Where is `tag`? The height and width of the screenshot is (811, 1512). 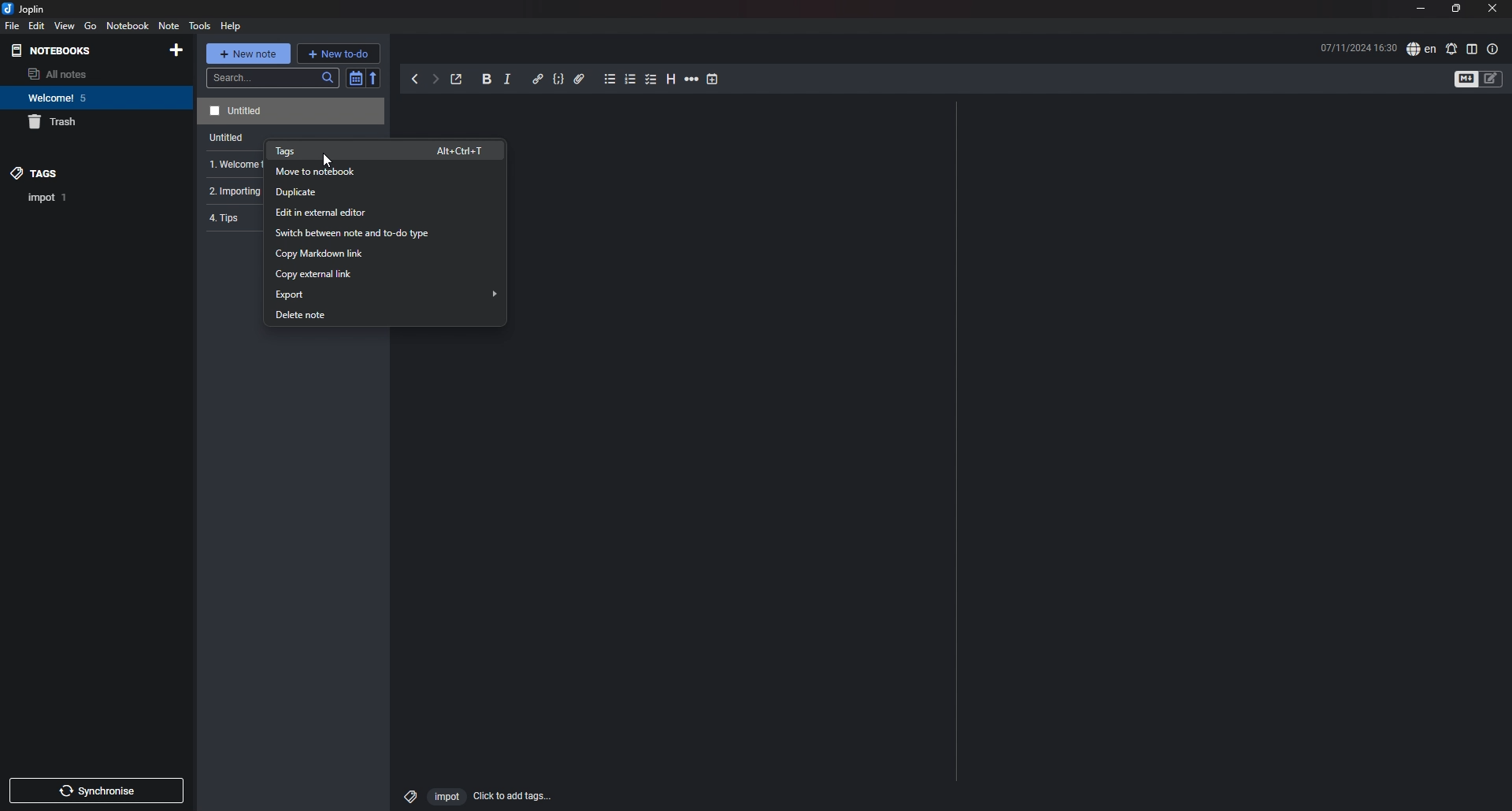 tag is located at coordinates (48, 198).